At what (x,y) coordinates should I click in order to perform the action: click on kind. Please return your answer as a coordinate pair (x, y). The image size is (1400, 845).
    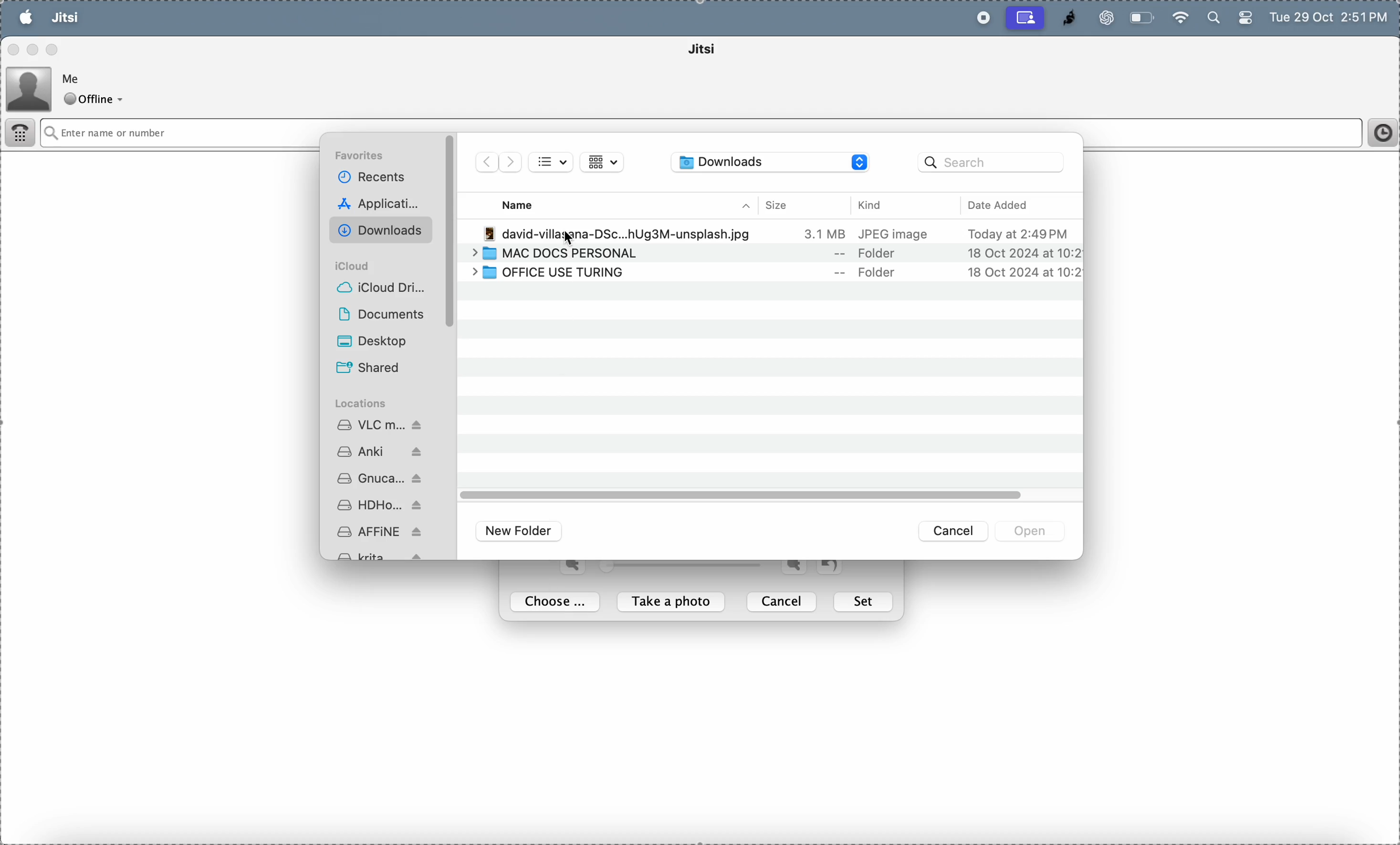
    Looking at the image, I should click on (890, 204).